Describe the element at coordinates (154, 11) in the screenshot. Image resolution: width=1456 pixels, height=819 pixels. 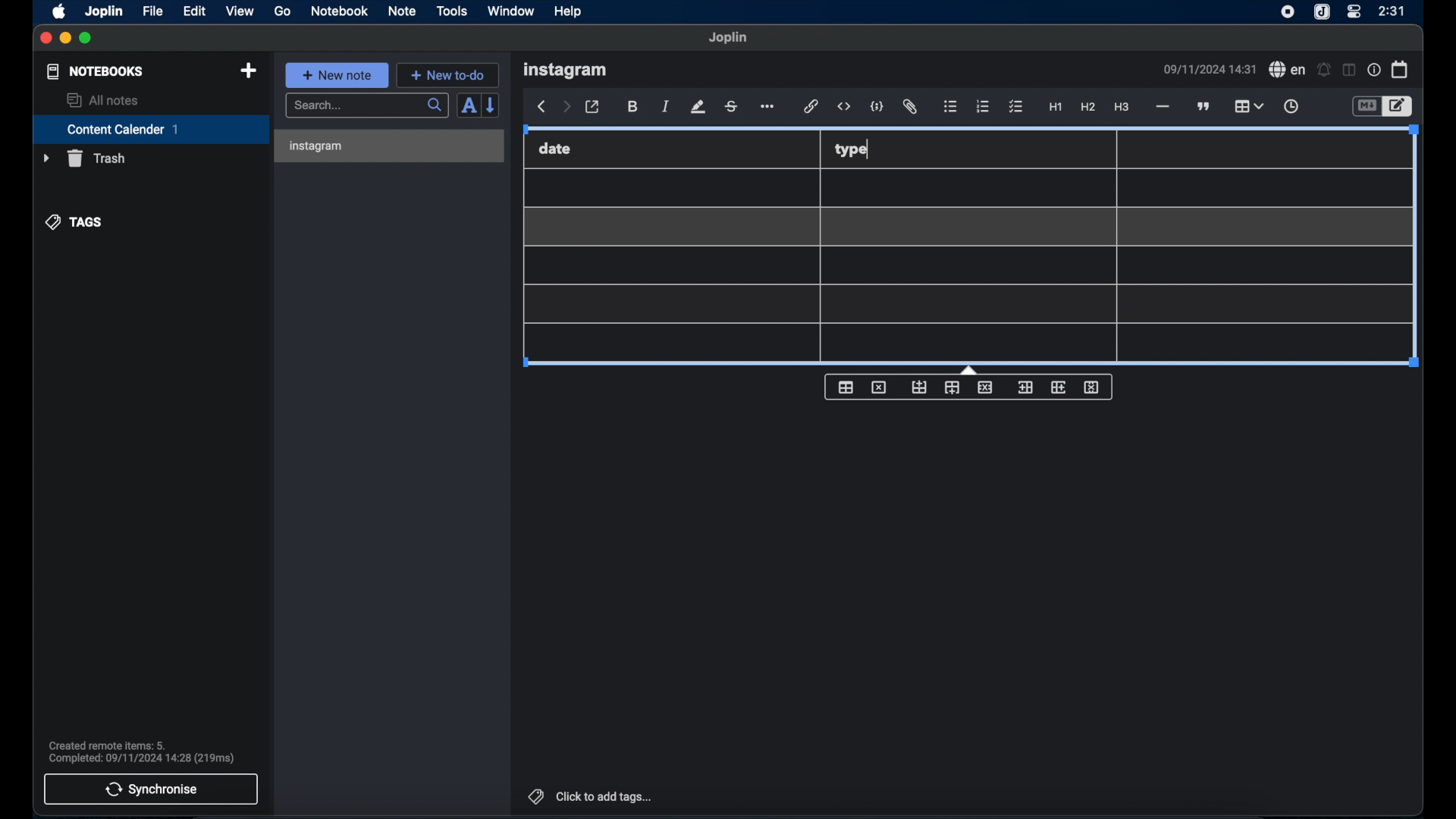
I see `file` at that location.